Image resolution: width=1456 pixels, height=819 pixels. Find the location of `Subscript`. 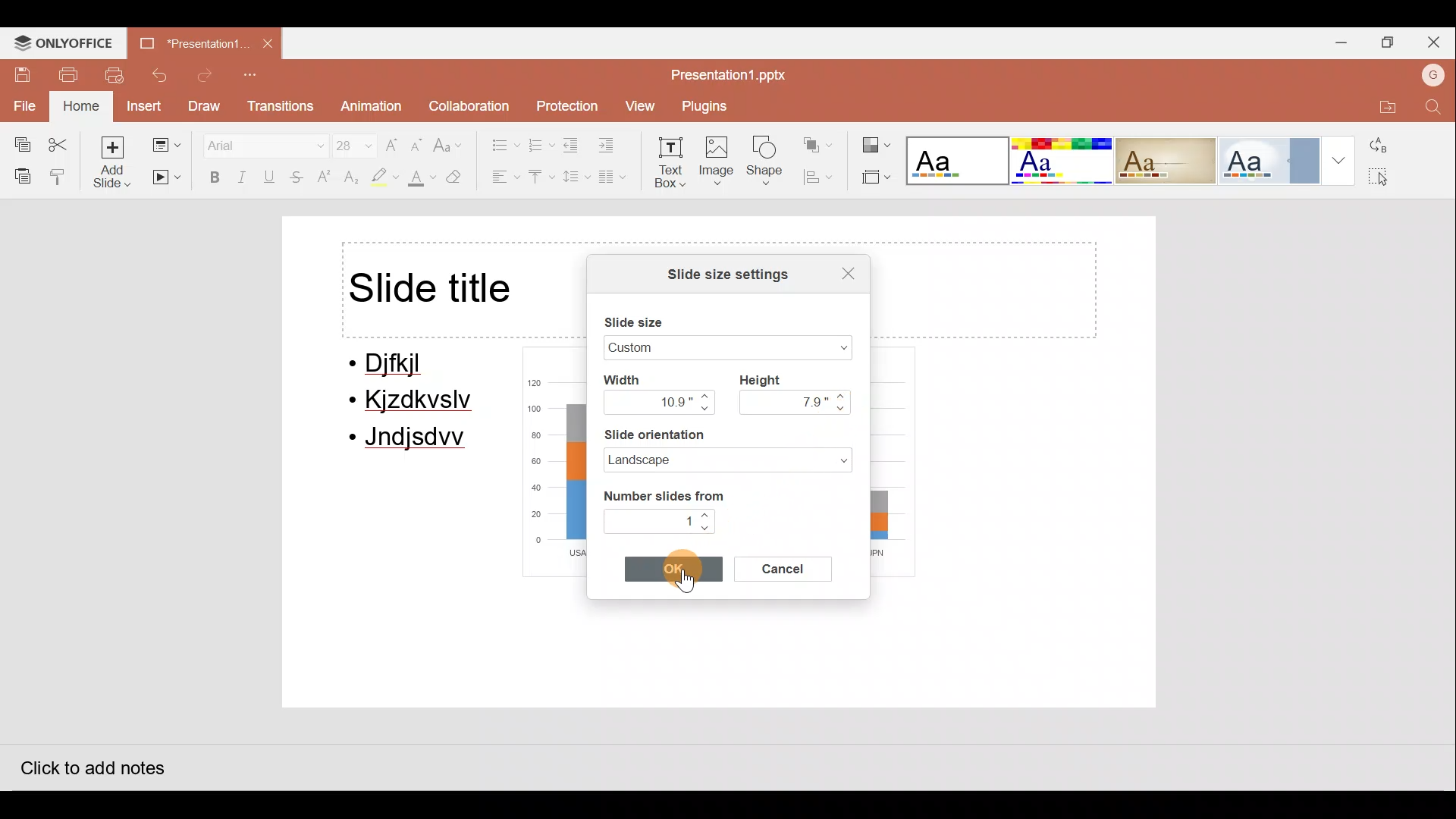

Subscript is located at coordinates (349, 179).